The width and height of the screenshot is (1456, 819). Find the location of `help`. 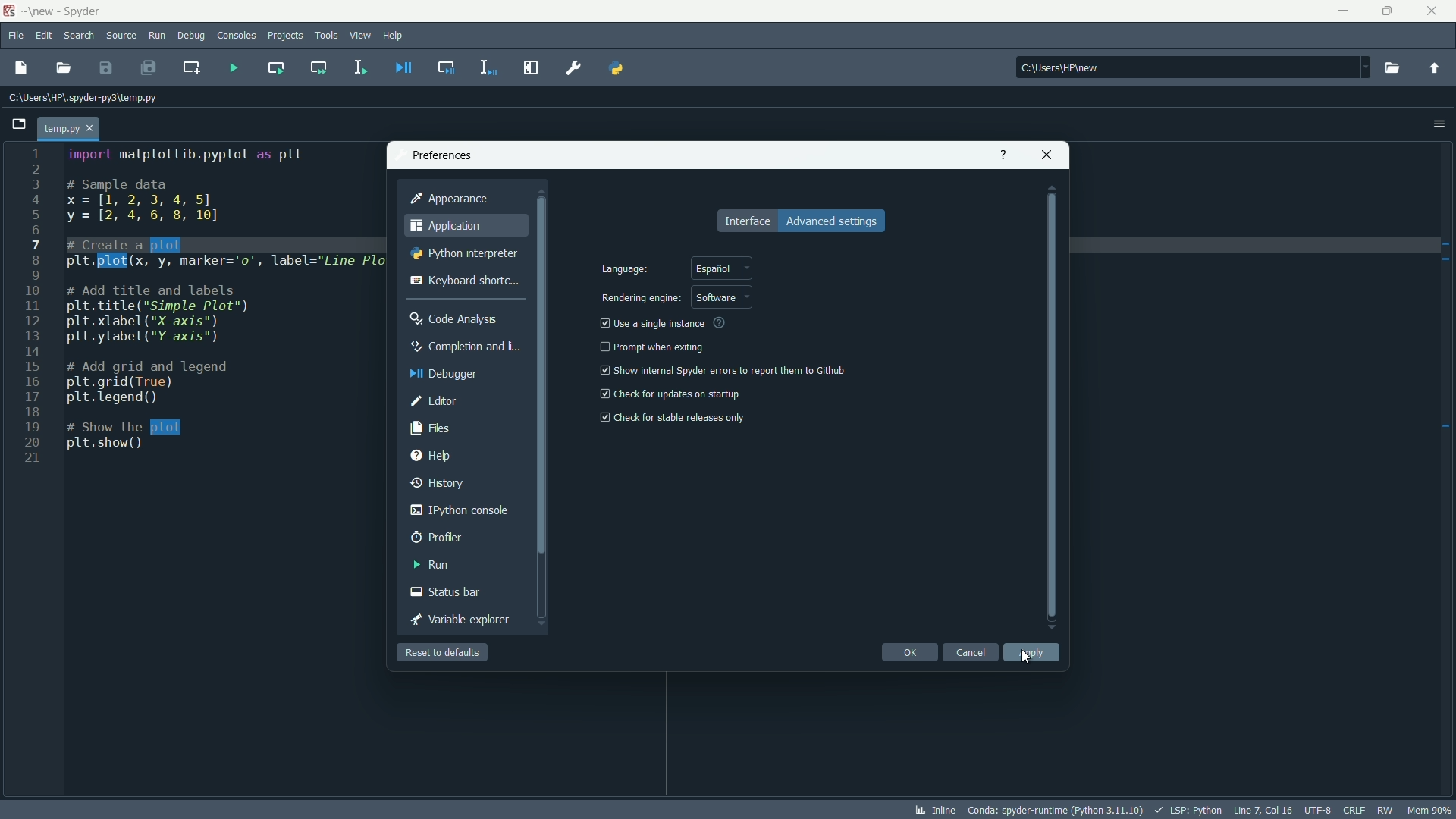

help is located at coordinates (431, 456).